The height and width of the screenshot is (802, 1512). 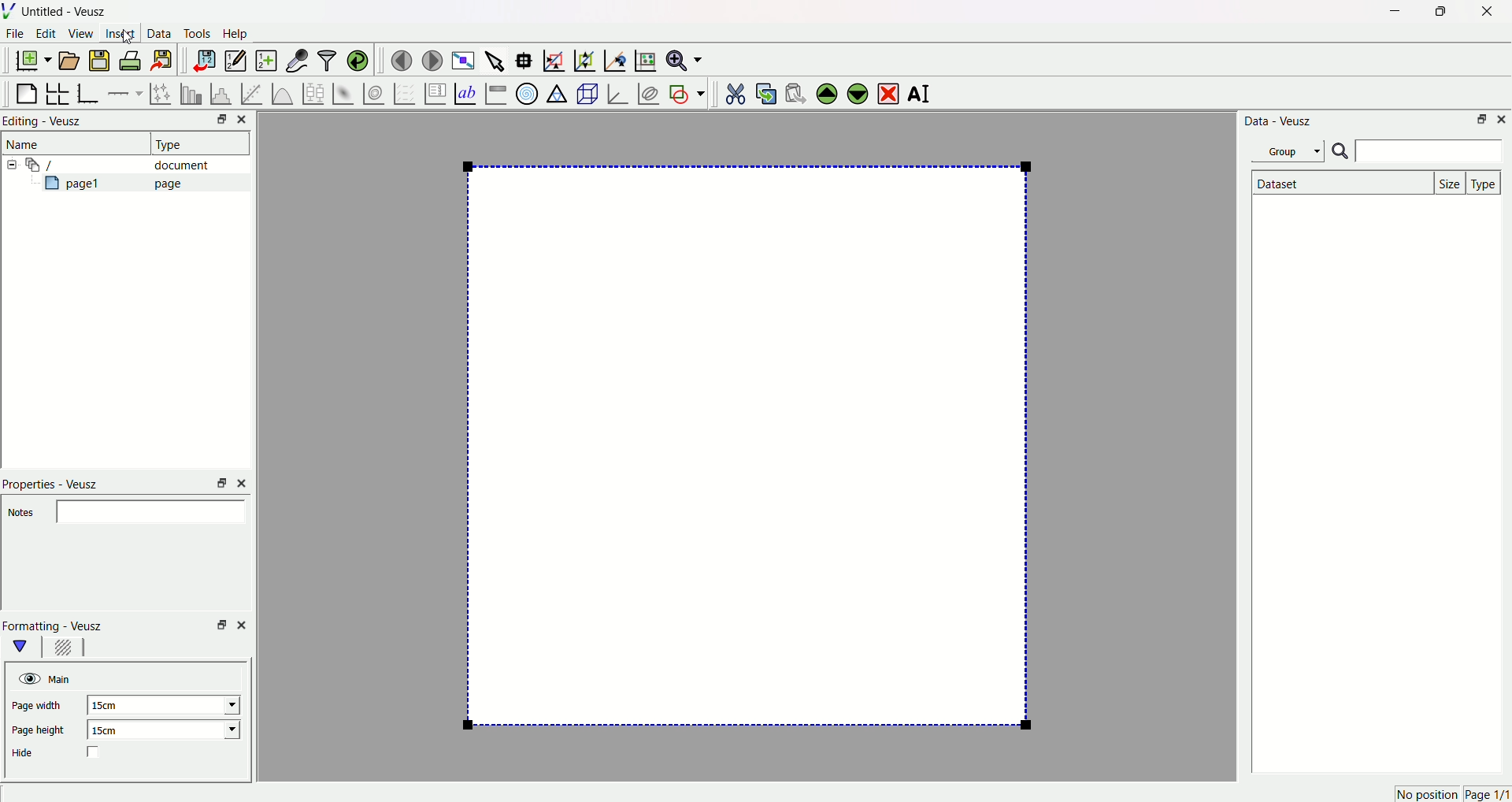 What do you see at coordinates (193, 143) in the screenshot?
I see `Type` at bounding box center [193, 143].